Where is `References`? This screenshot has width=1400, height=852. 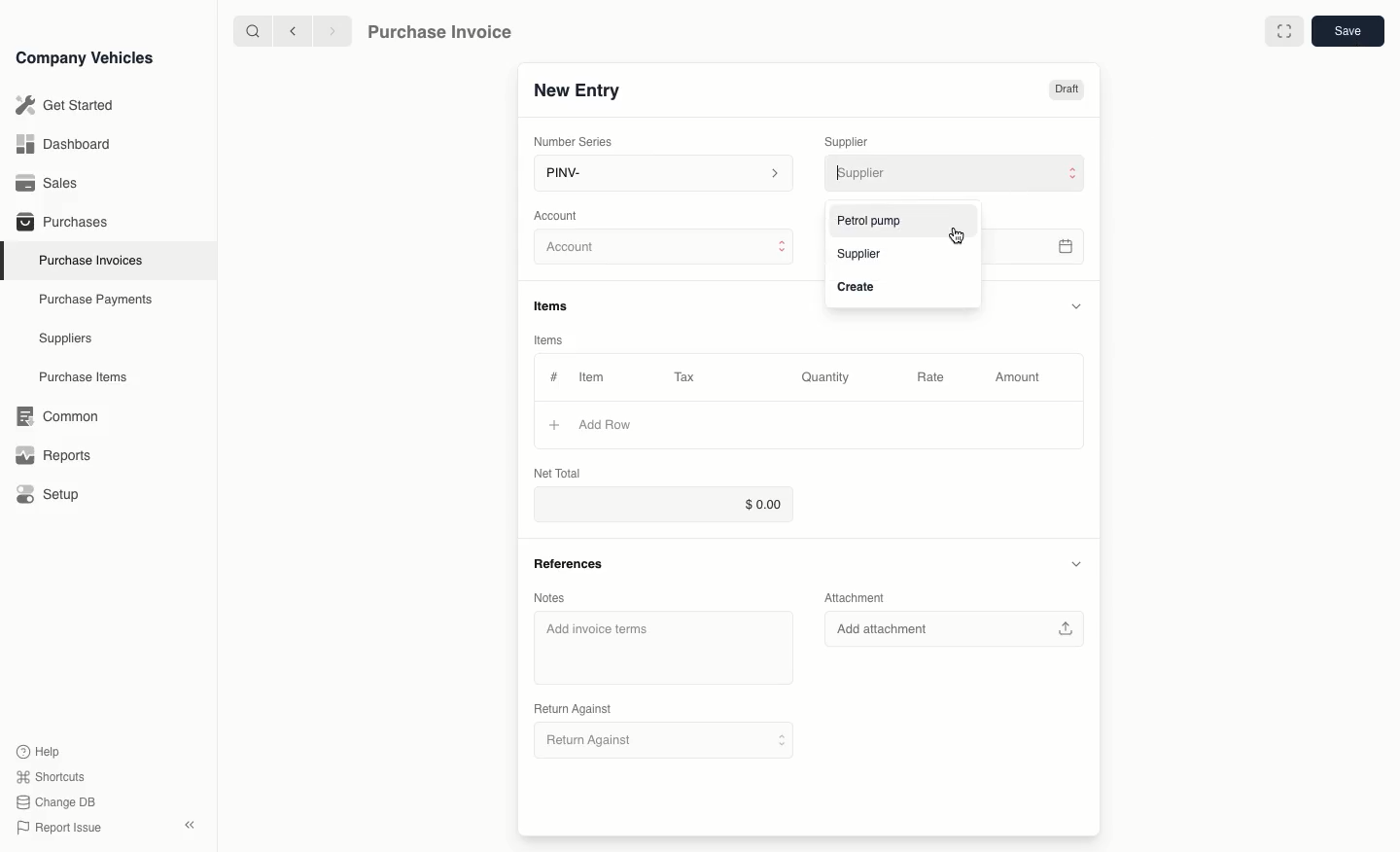
References is located at coordinates (568, 566).